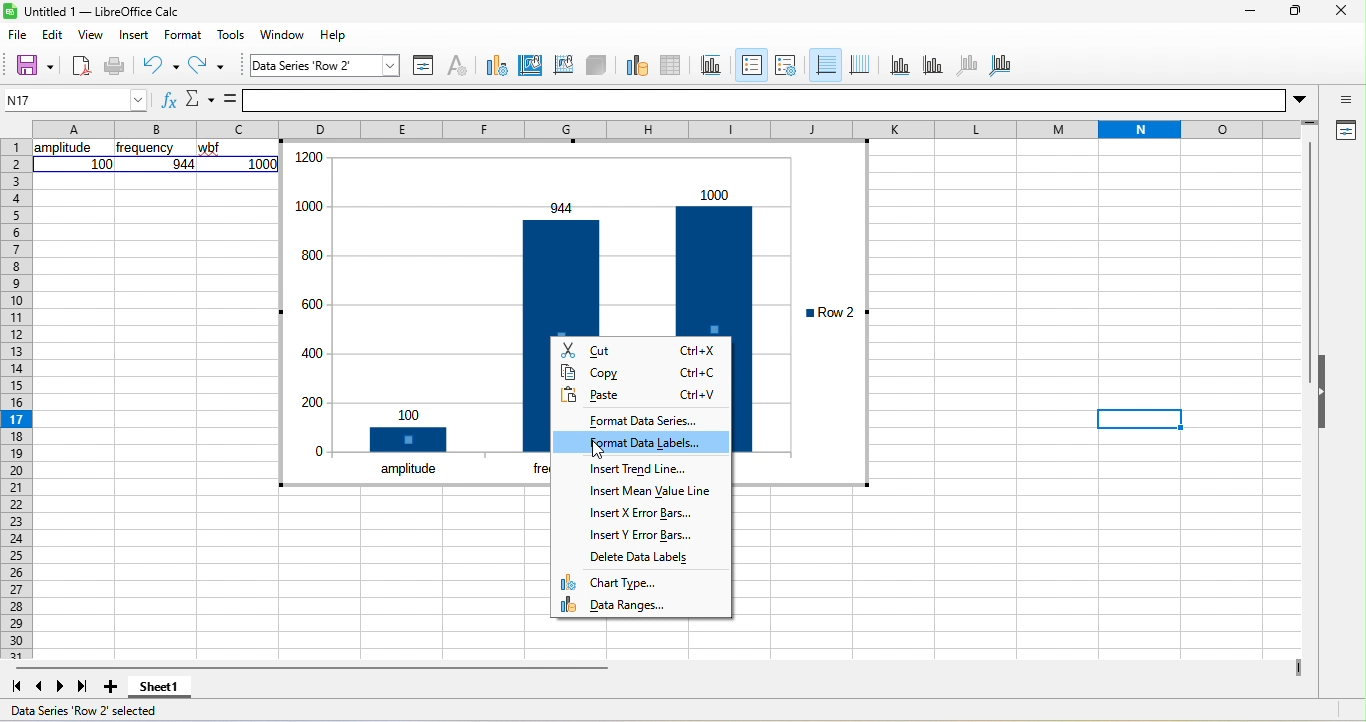 This screenshot has width=1366, height=722. What do you see at coordinates (113, 690) in the screenshot?
I see `add sheet` at bounding box center [113, 690].